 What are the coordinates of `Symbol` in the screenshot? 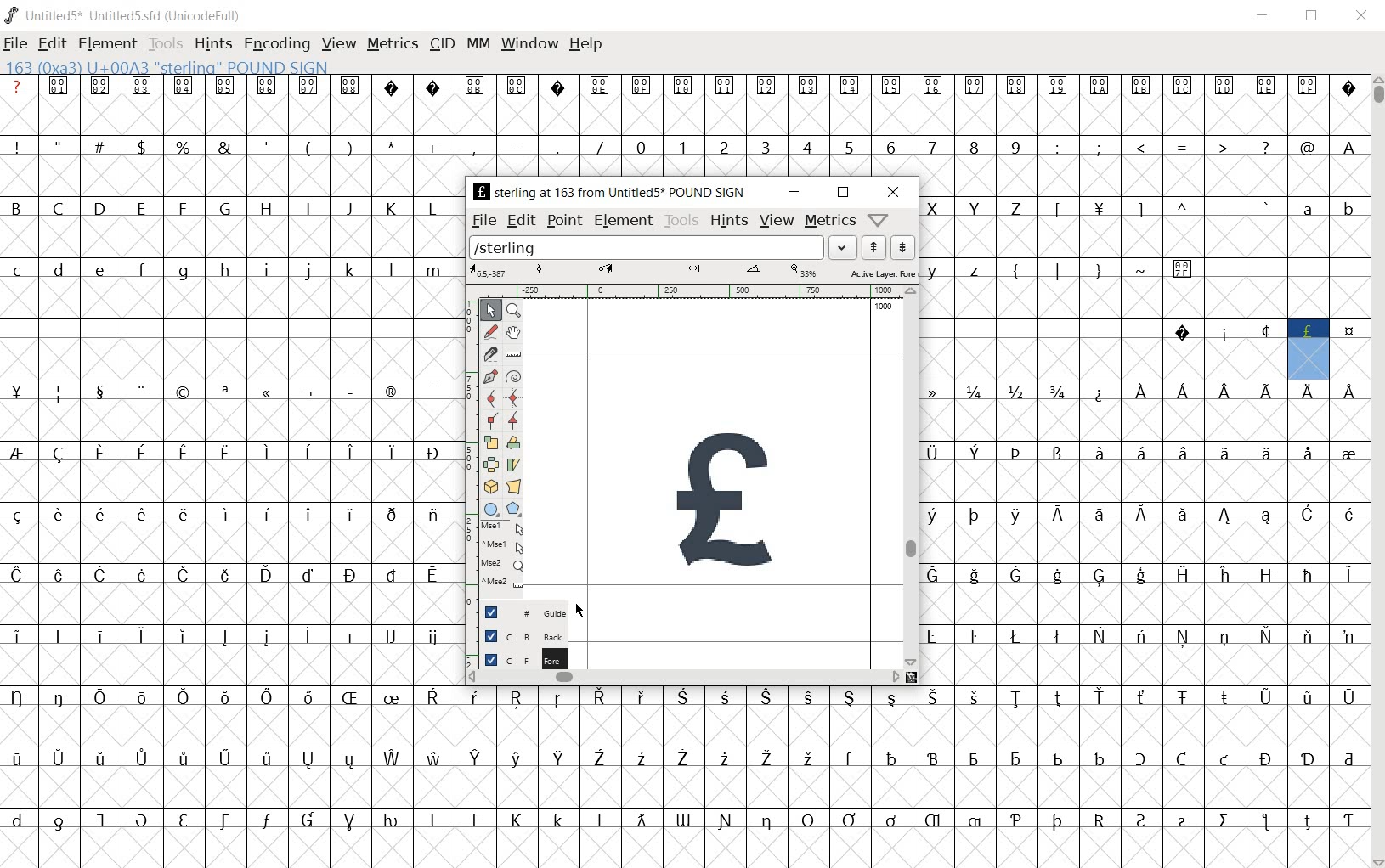 It's located at (20, 576).